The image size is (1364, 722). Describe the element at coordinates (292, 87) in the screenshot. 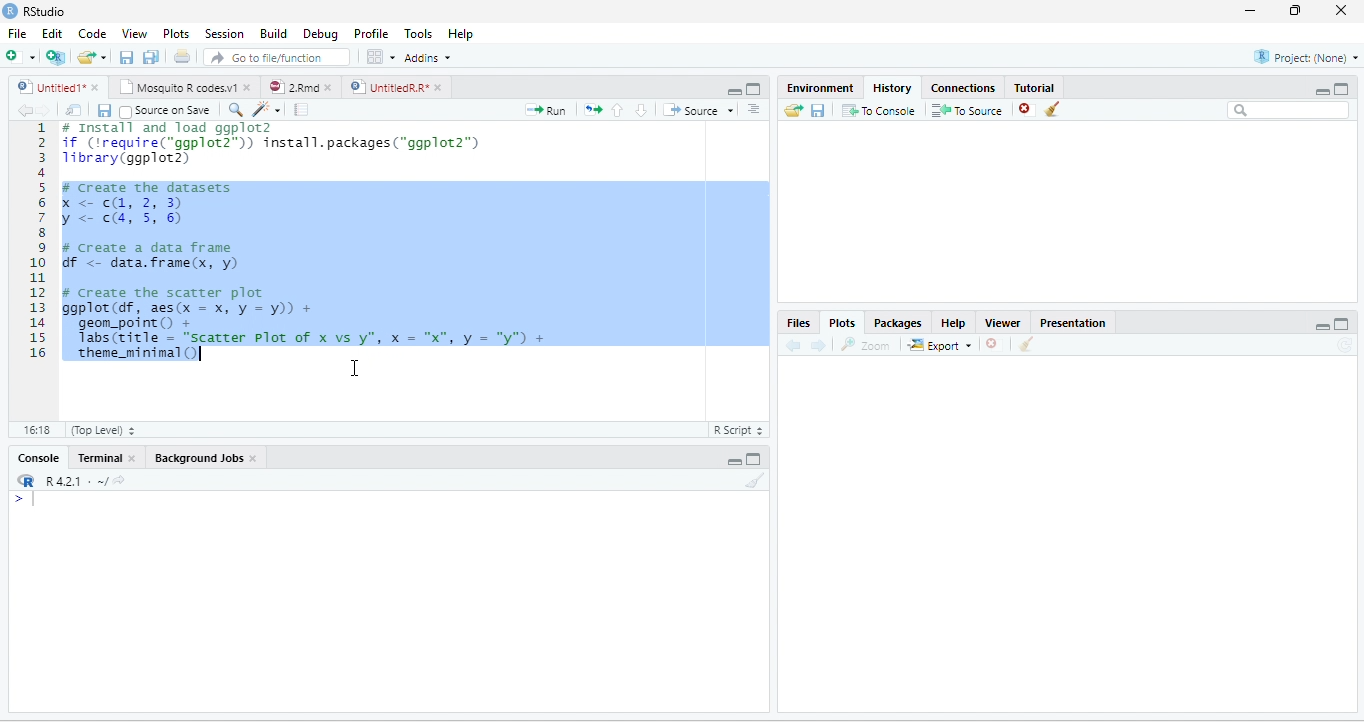

I see `2.Rmd` at that location.